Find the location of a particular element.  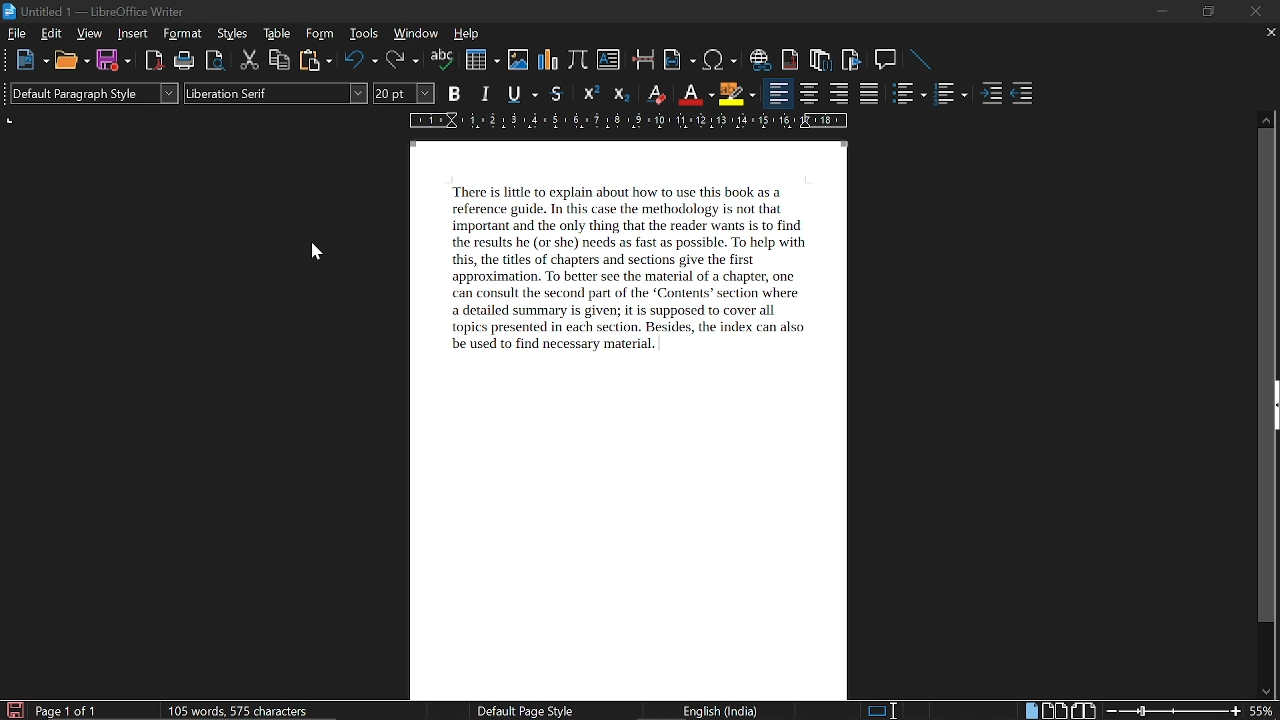

insert text is located at coordinates (609, 60).